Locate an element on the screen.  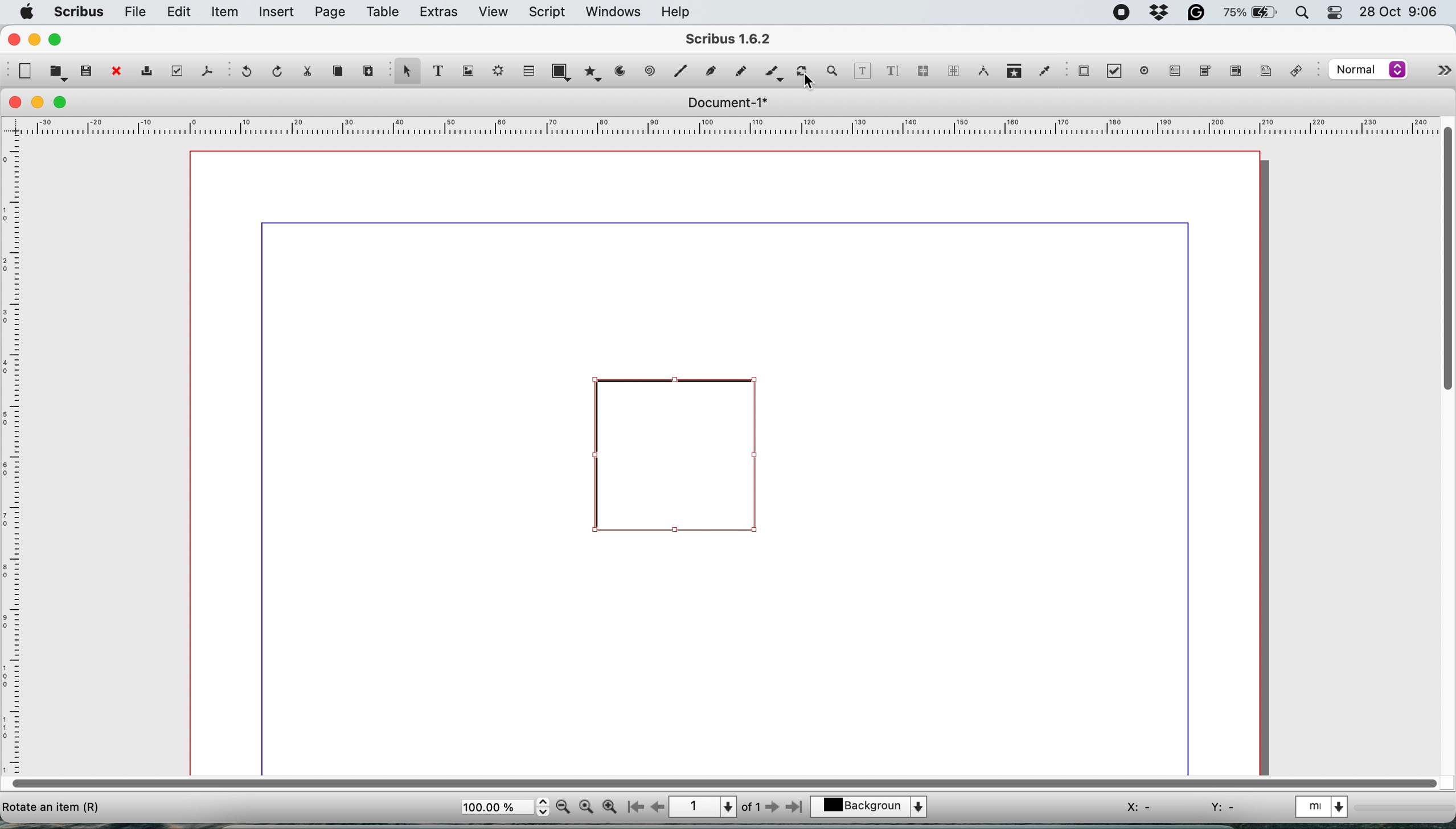
minimise is located at coordinates (35, 40).